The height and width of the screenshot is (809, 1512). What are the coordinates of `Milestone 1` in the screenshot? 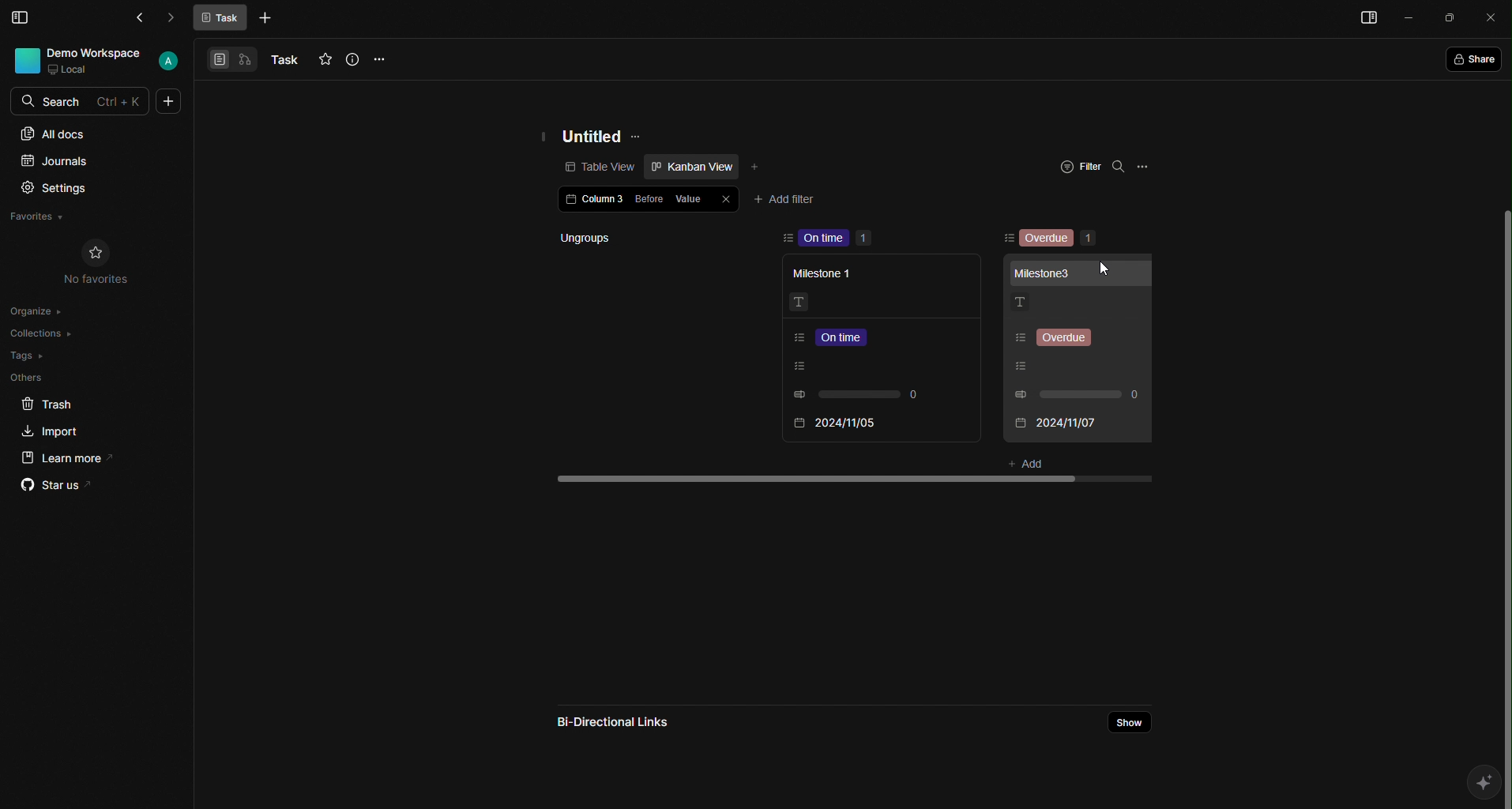 It's located at (829, 274).